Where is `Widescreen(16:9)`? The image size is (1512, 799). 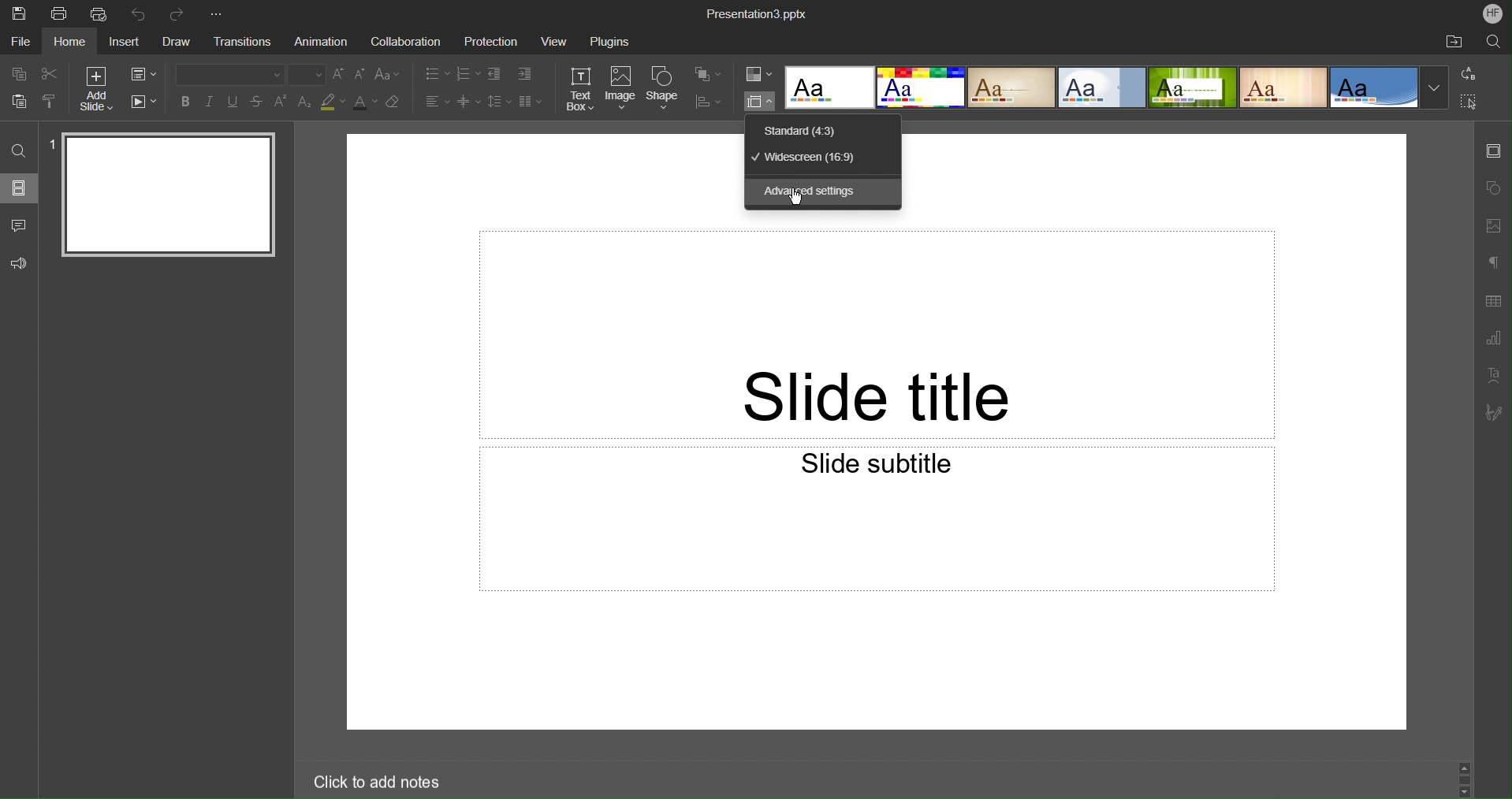
Widescreen(16:9) is located at coordinates (810, 159).